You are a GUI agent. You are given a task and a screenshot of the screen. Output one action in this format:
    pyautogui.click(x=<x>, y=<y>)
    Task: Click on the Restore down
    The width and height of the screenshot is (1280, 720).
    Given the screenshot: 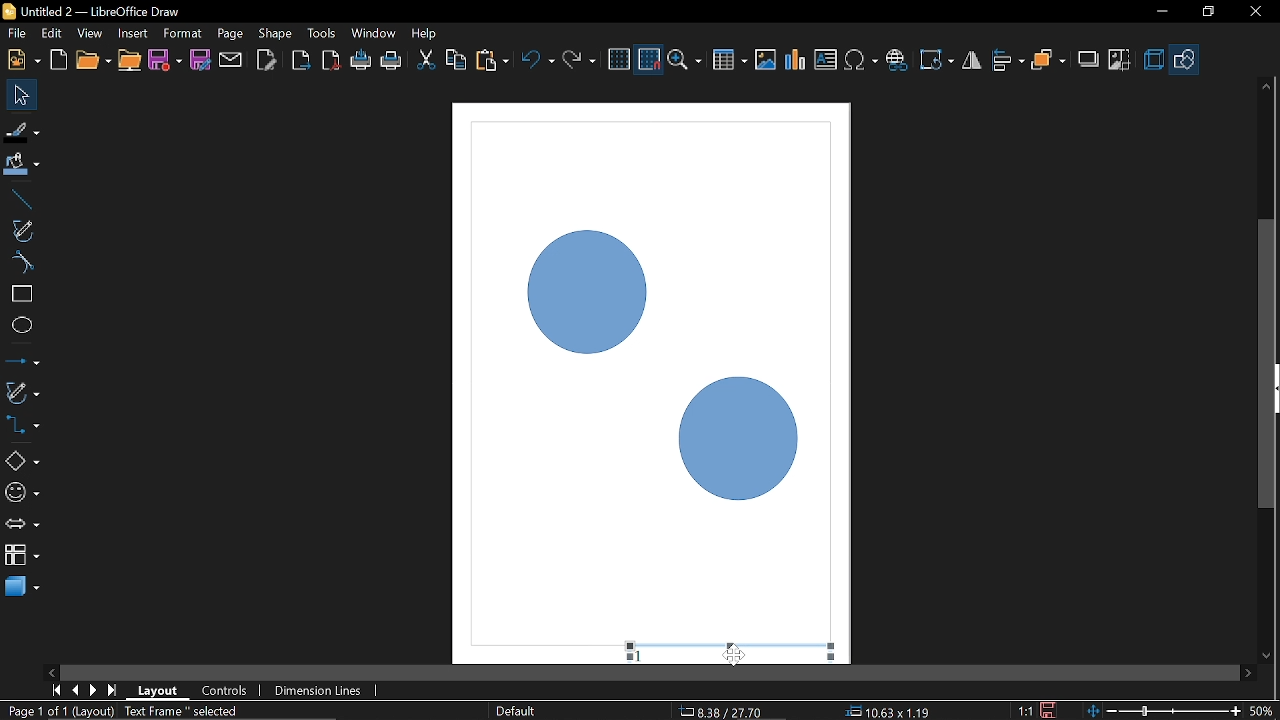 What is the action you would take?
    pyautogui.click(x=1207, y=11)
    